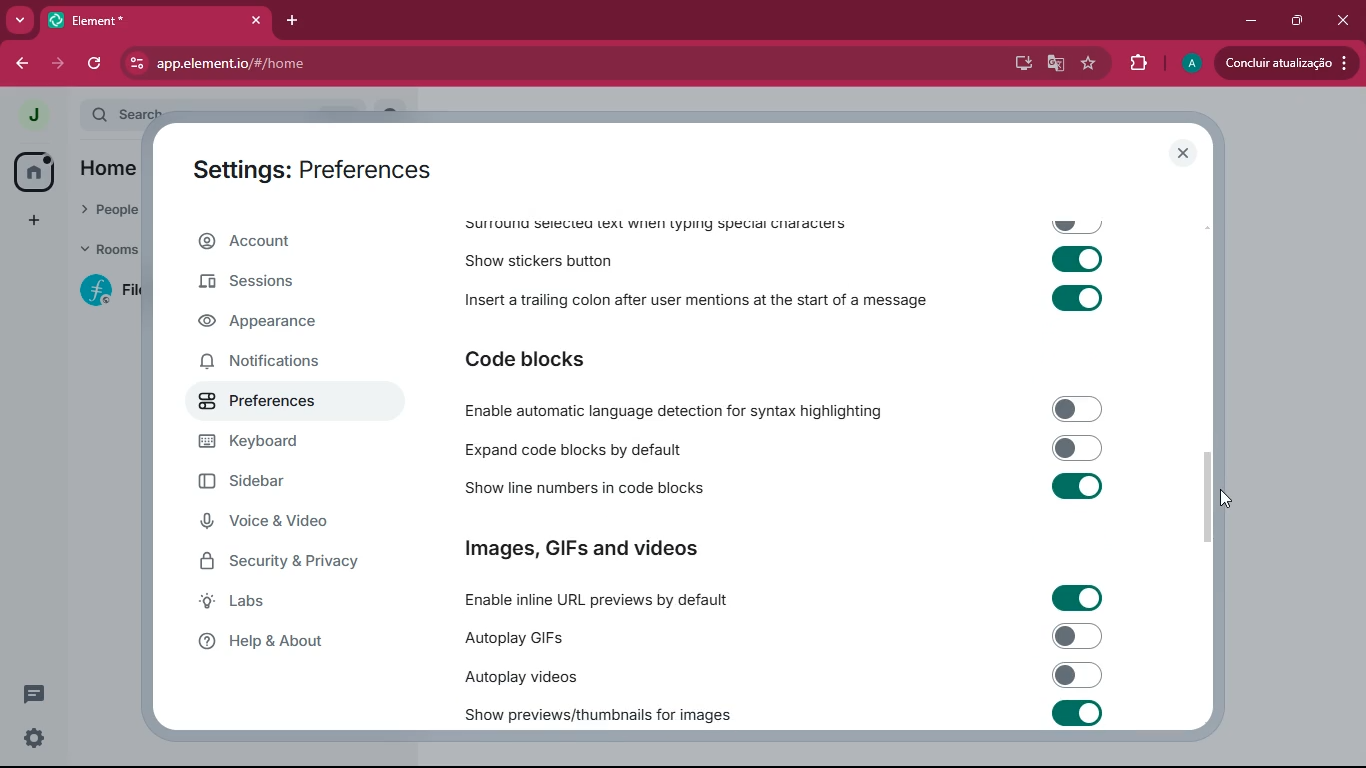  Describe the element at coordinates (277, 405) in the screenshot. I see `preferences` at that location.